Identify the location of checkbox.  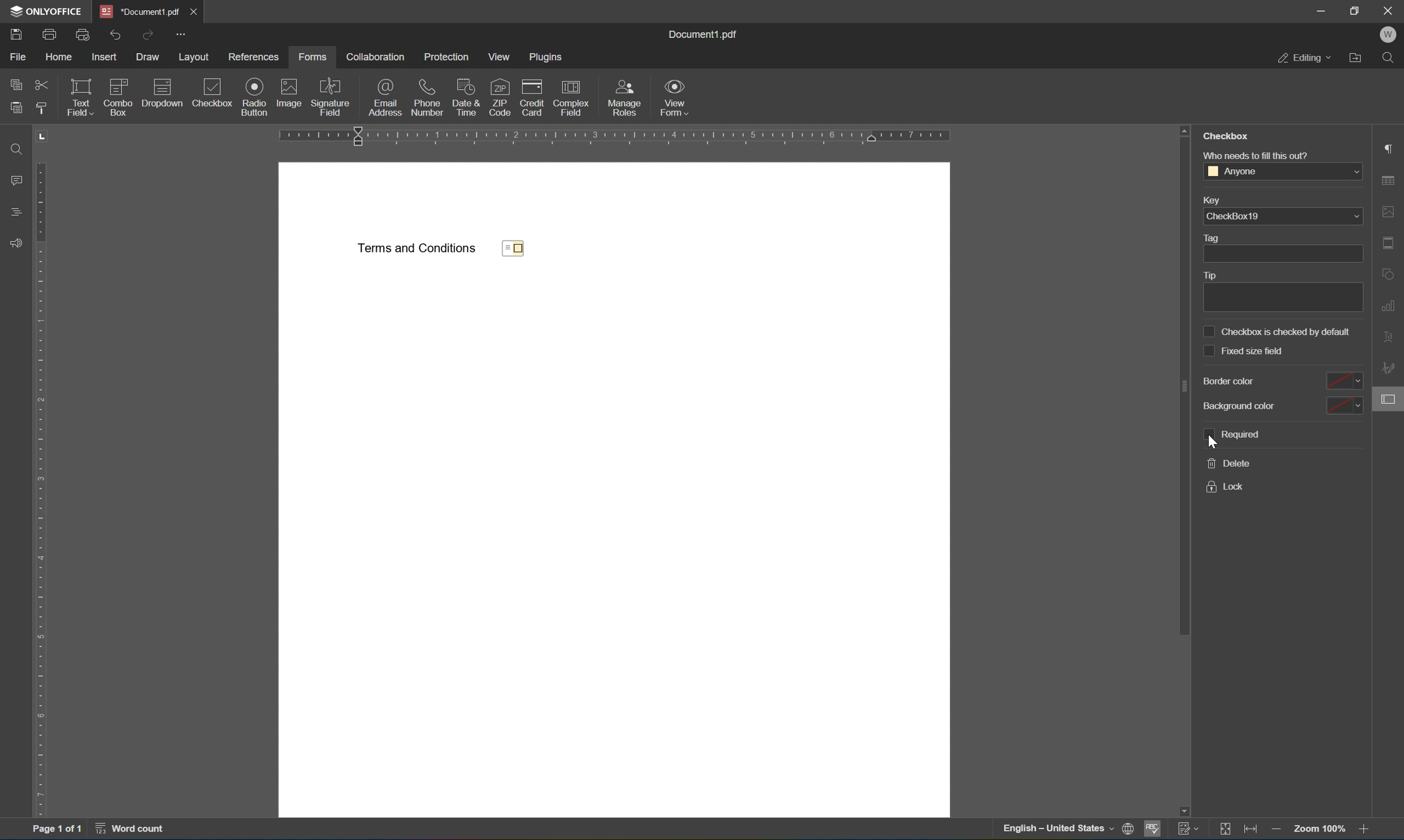
(519, 249).